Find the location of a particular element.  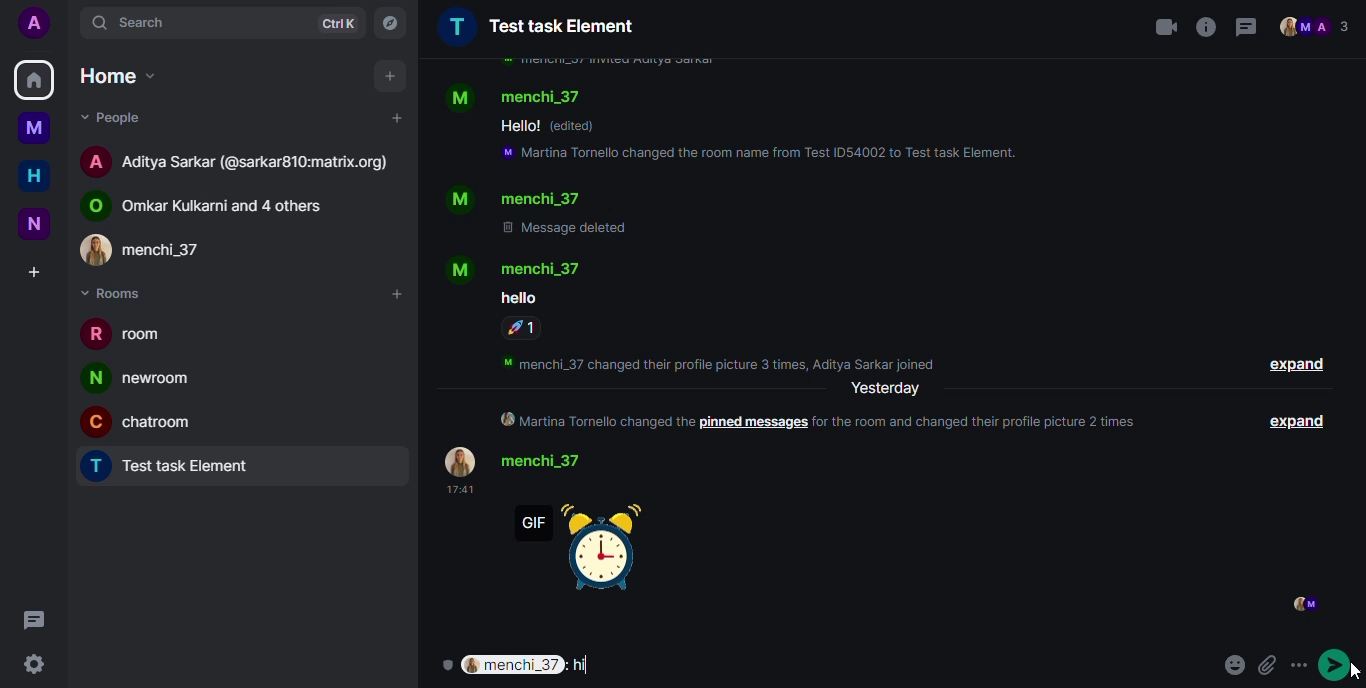

new is located at coordinates (35, 222).